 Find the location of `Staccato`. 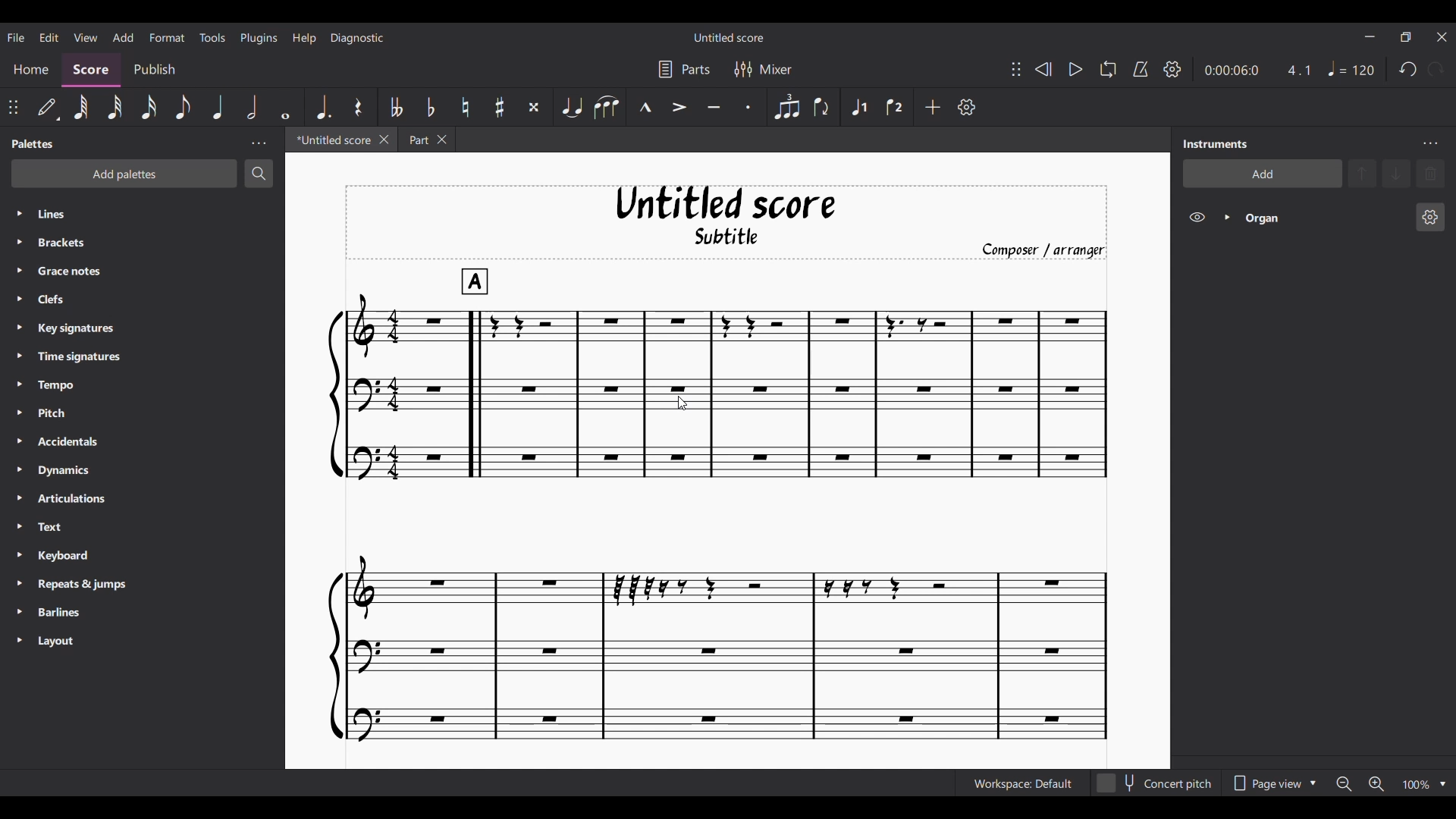

Staccato is located at coordinates (748, 108).